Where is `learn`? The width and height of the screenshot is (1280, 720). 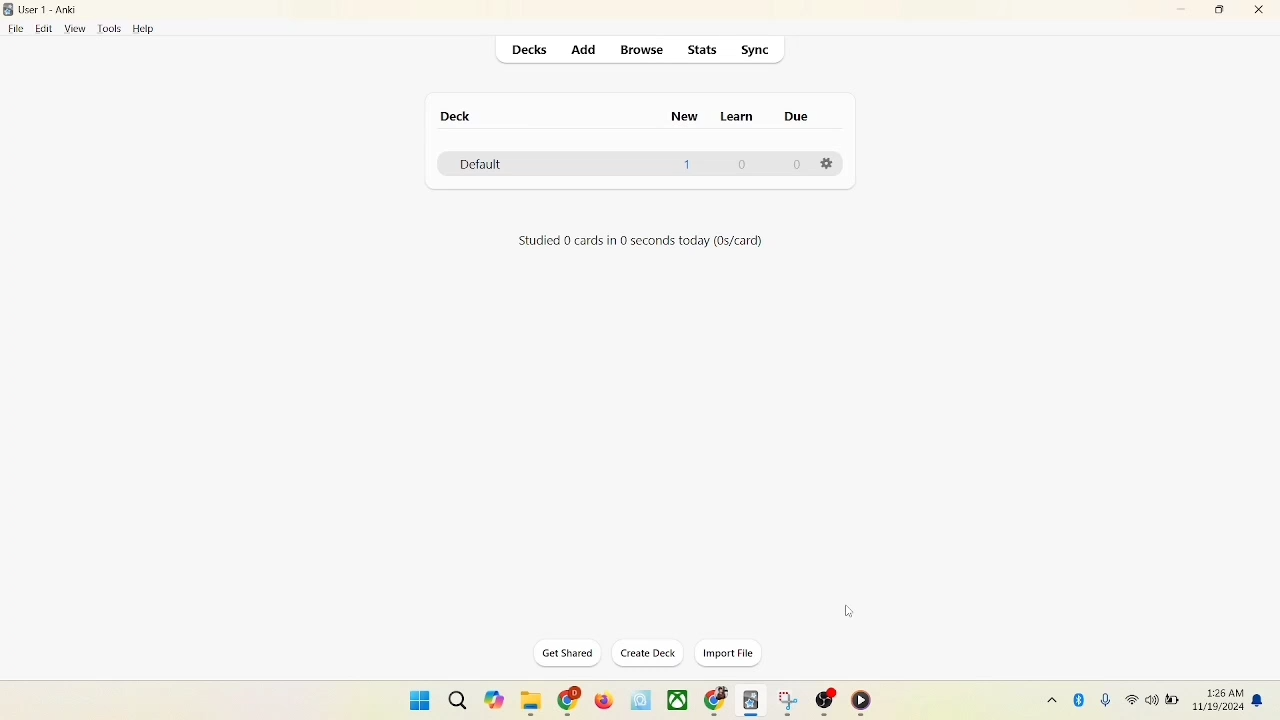
learn is located at coordinates (742, 117).